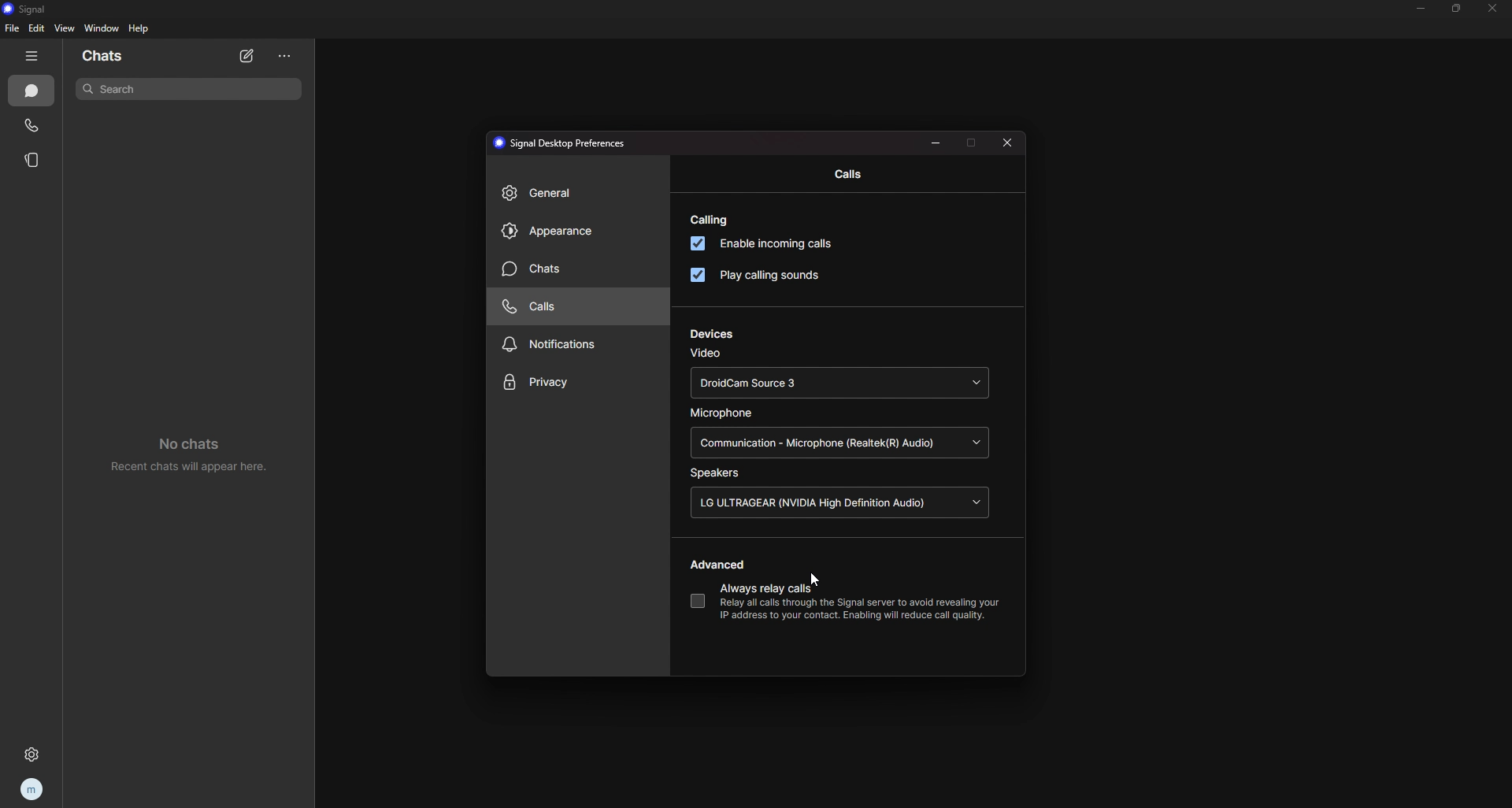  Describe the element at coordinates (724, 414) in the screenshot. I see `microphone` at that location.